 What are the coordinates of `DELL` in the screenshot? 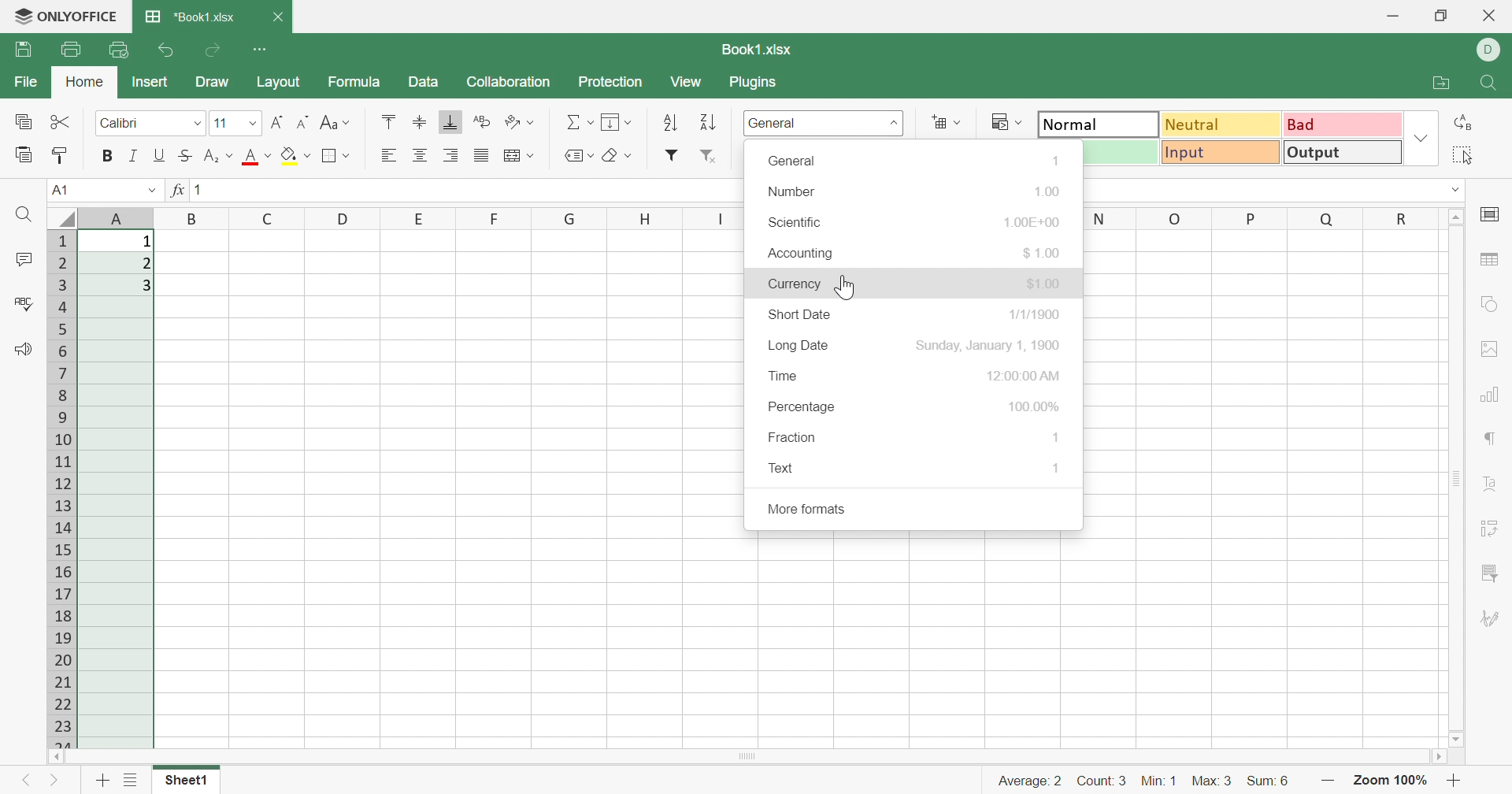 It's located at (1492, 50).